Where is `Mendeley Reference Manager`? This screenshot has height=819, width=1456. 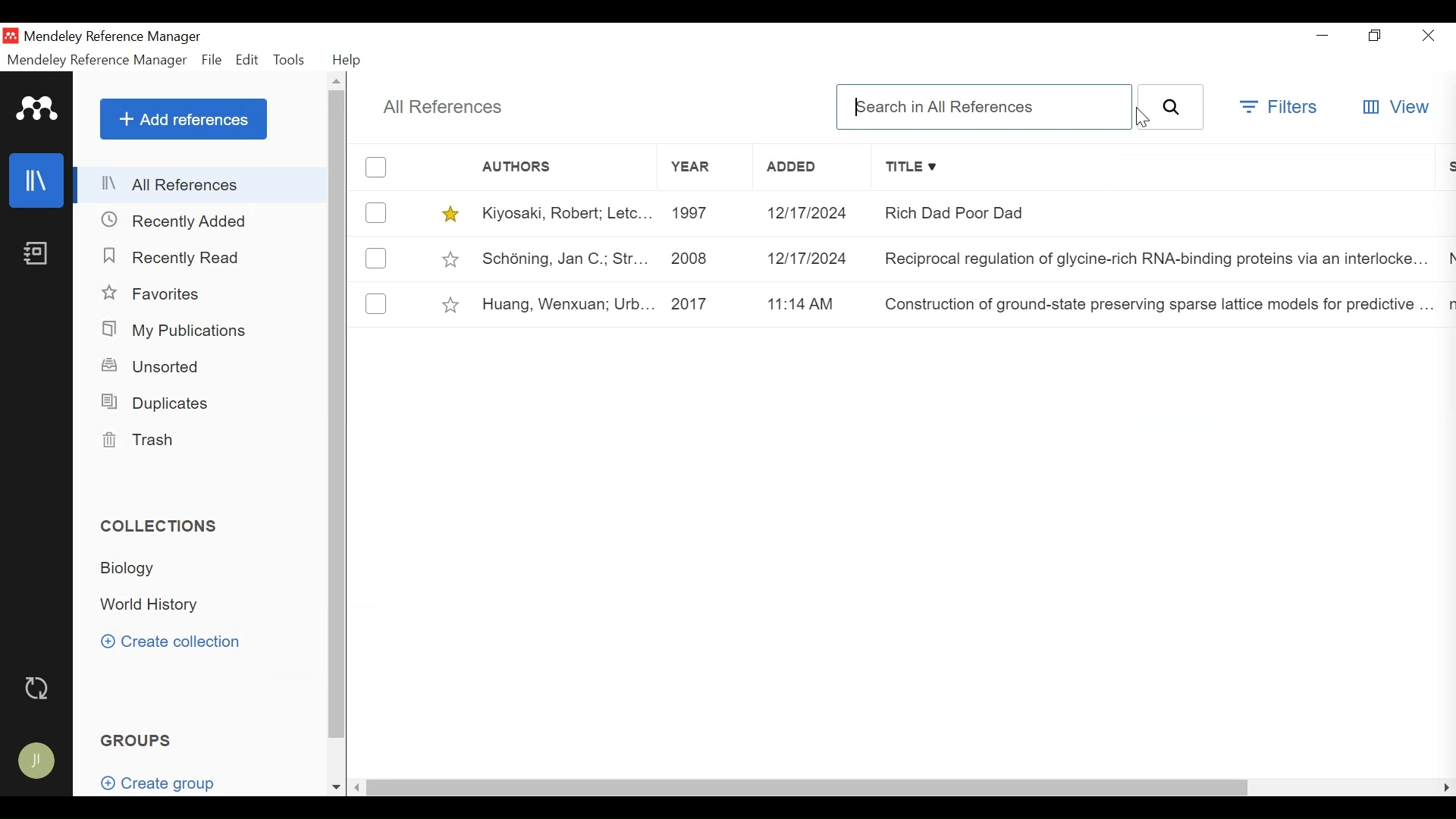 Mendeley Reference Manager is located at coordinates (97, 60).